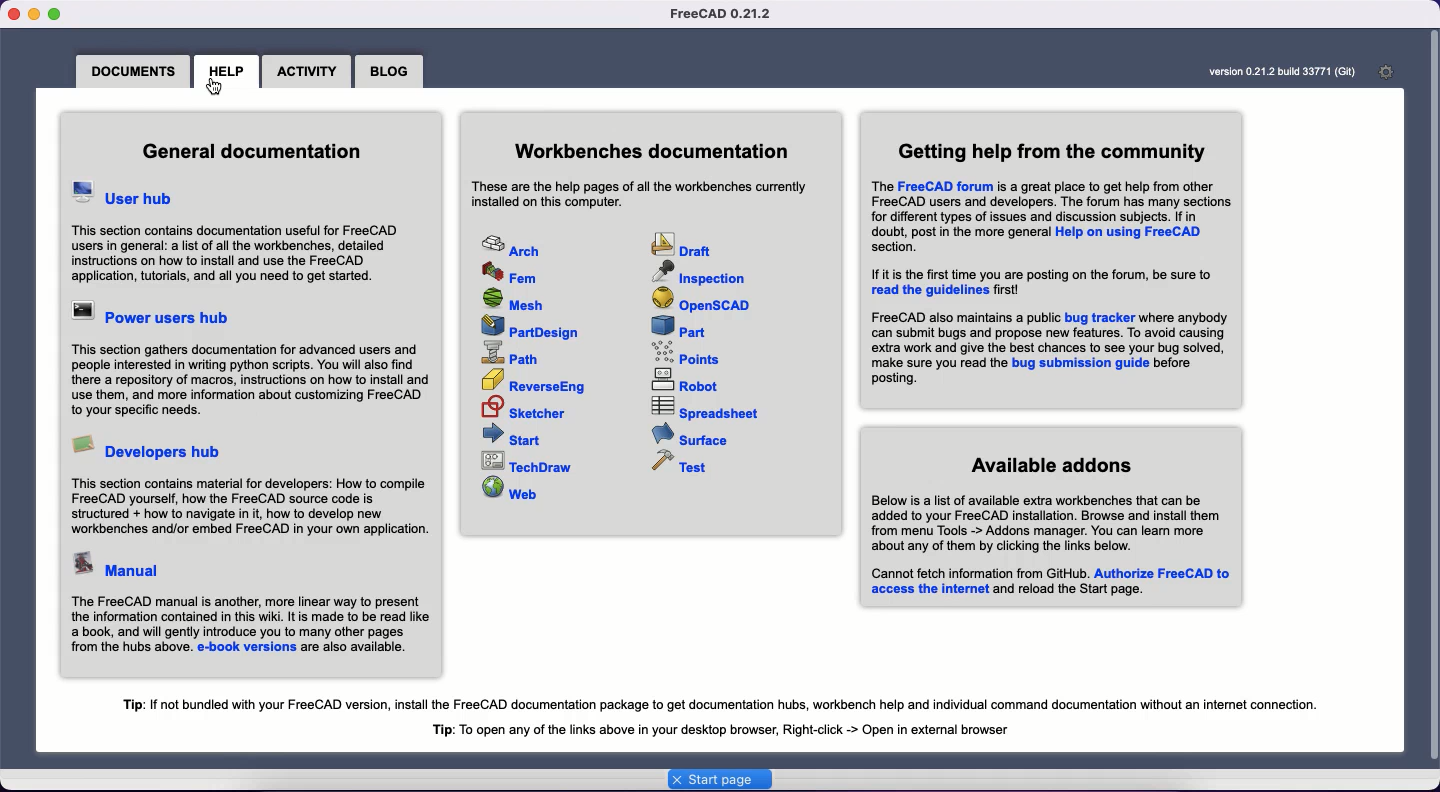  What do you see at coordinates (700, 299) in the screenshot?
I see `OpenSCAD` at bounding box center [700, 299].